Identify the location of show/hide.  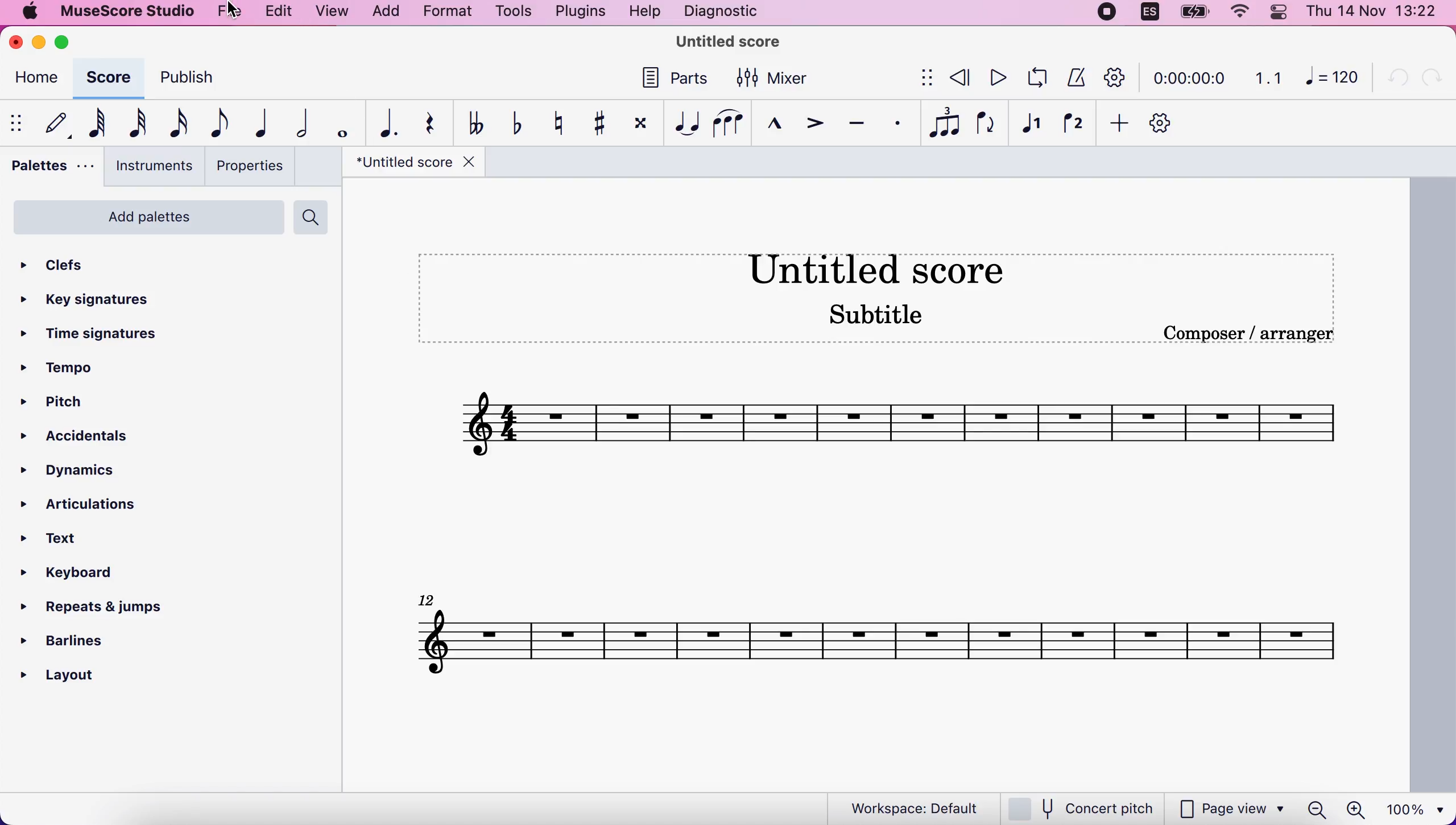
(925, 77).